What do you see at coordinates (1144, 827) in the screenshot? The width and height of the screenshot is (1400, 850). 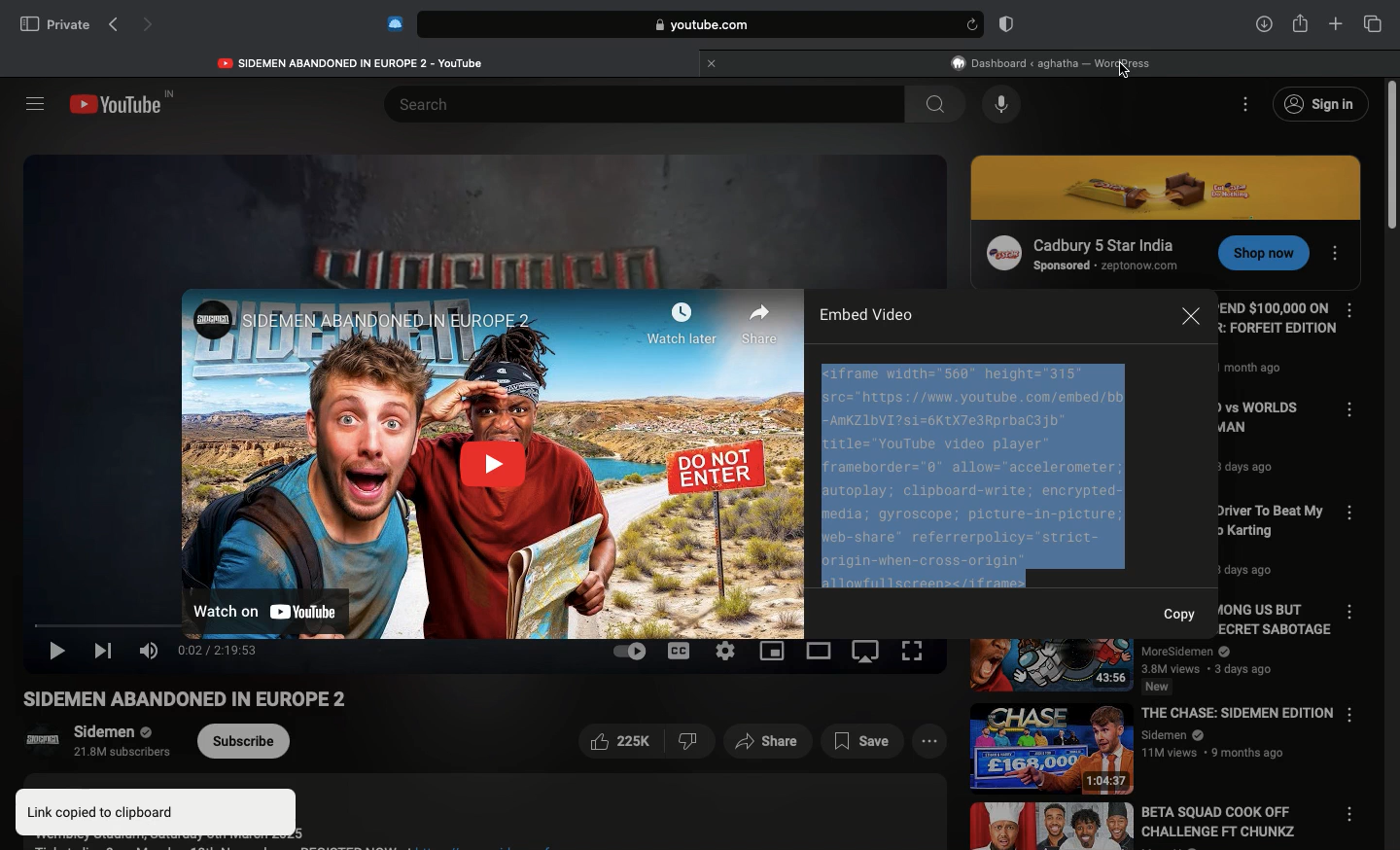 I see `Video name` at bounding box center [1144, 827].